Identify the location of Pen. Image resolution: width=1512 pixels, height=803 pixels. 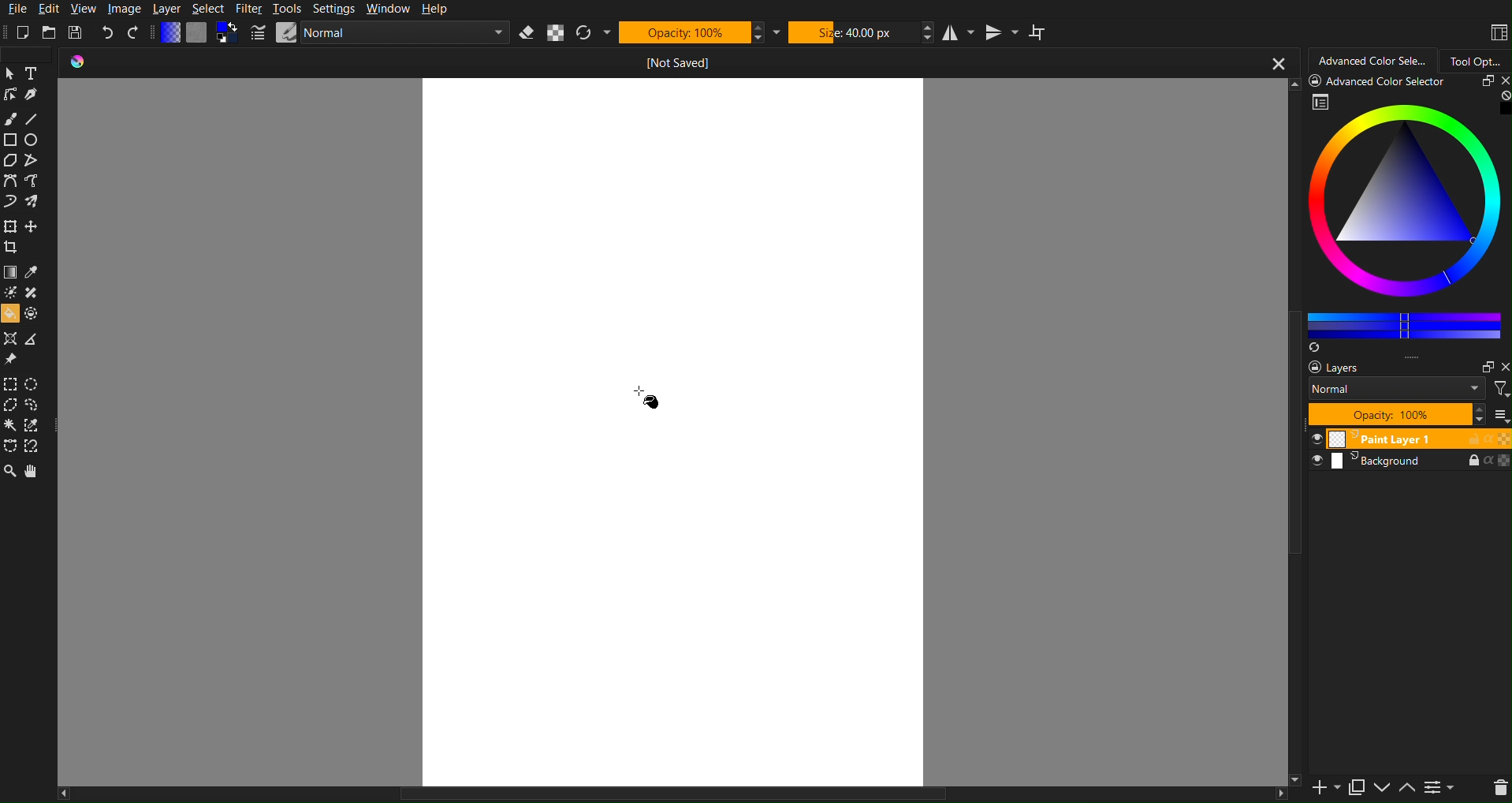
(32, 94).